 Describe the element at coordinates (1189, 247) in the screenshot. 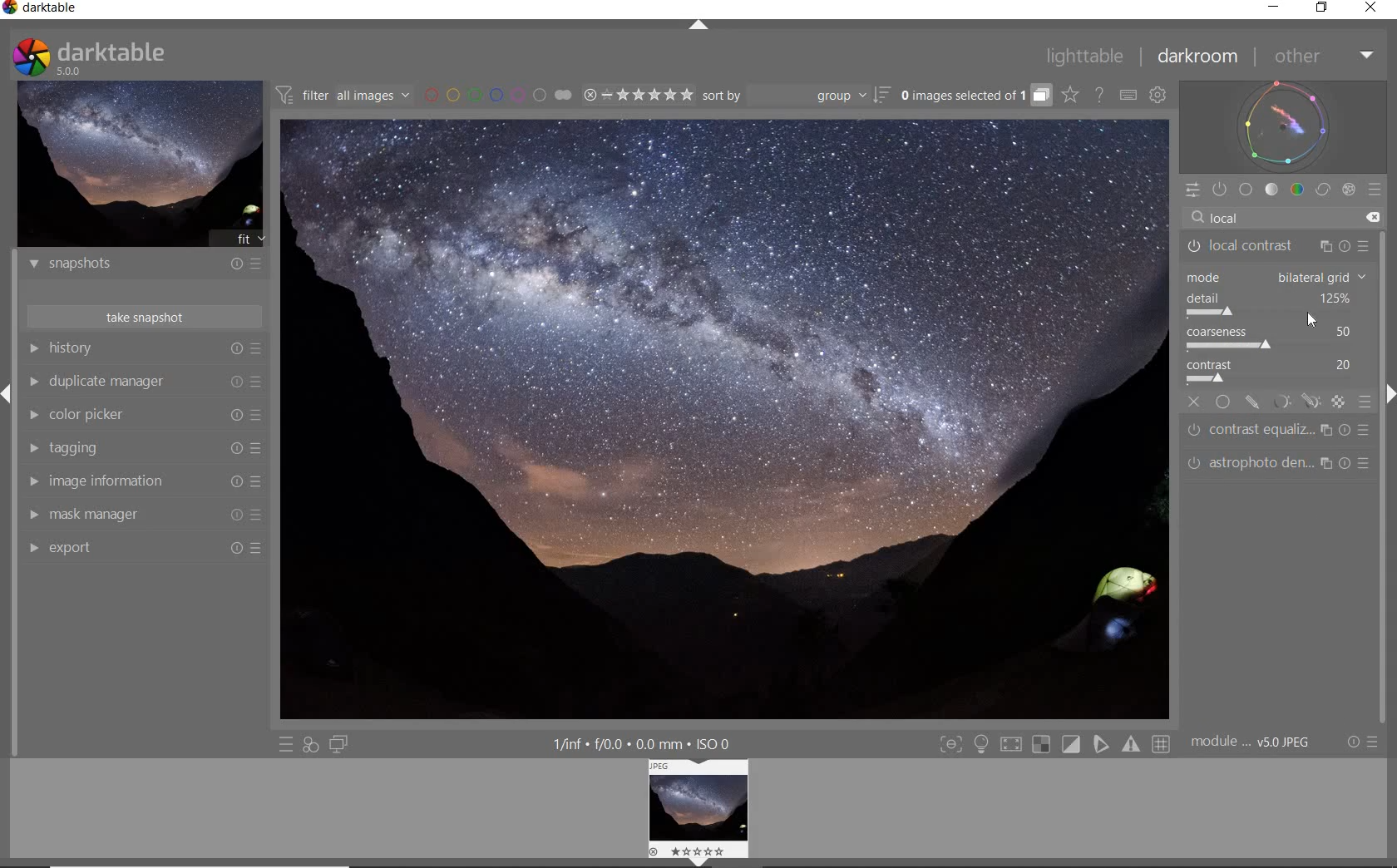

I see `Switched off` at that location.